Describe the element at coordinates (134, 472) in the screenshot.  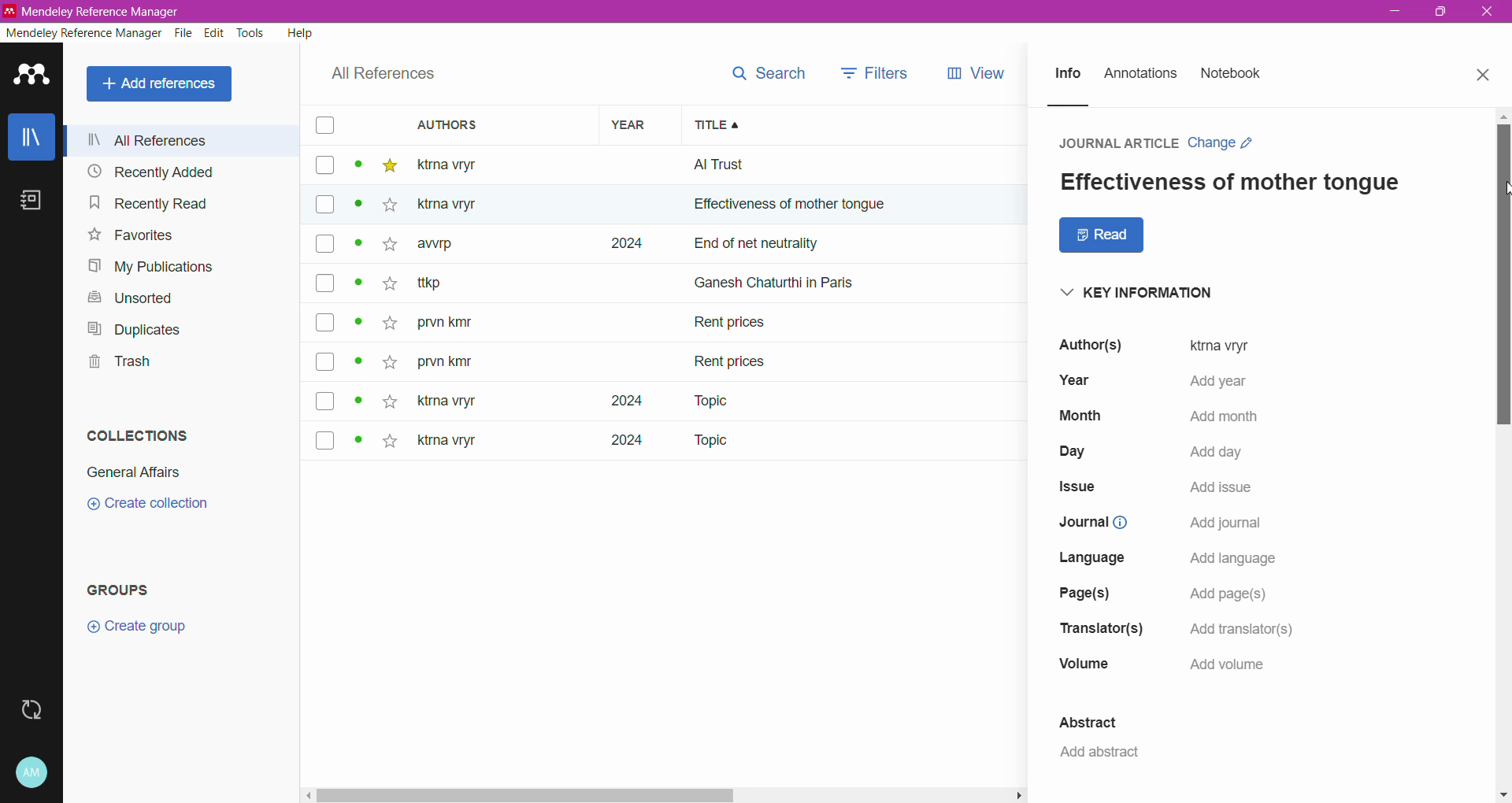
I see `General Affairs` at that location.